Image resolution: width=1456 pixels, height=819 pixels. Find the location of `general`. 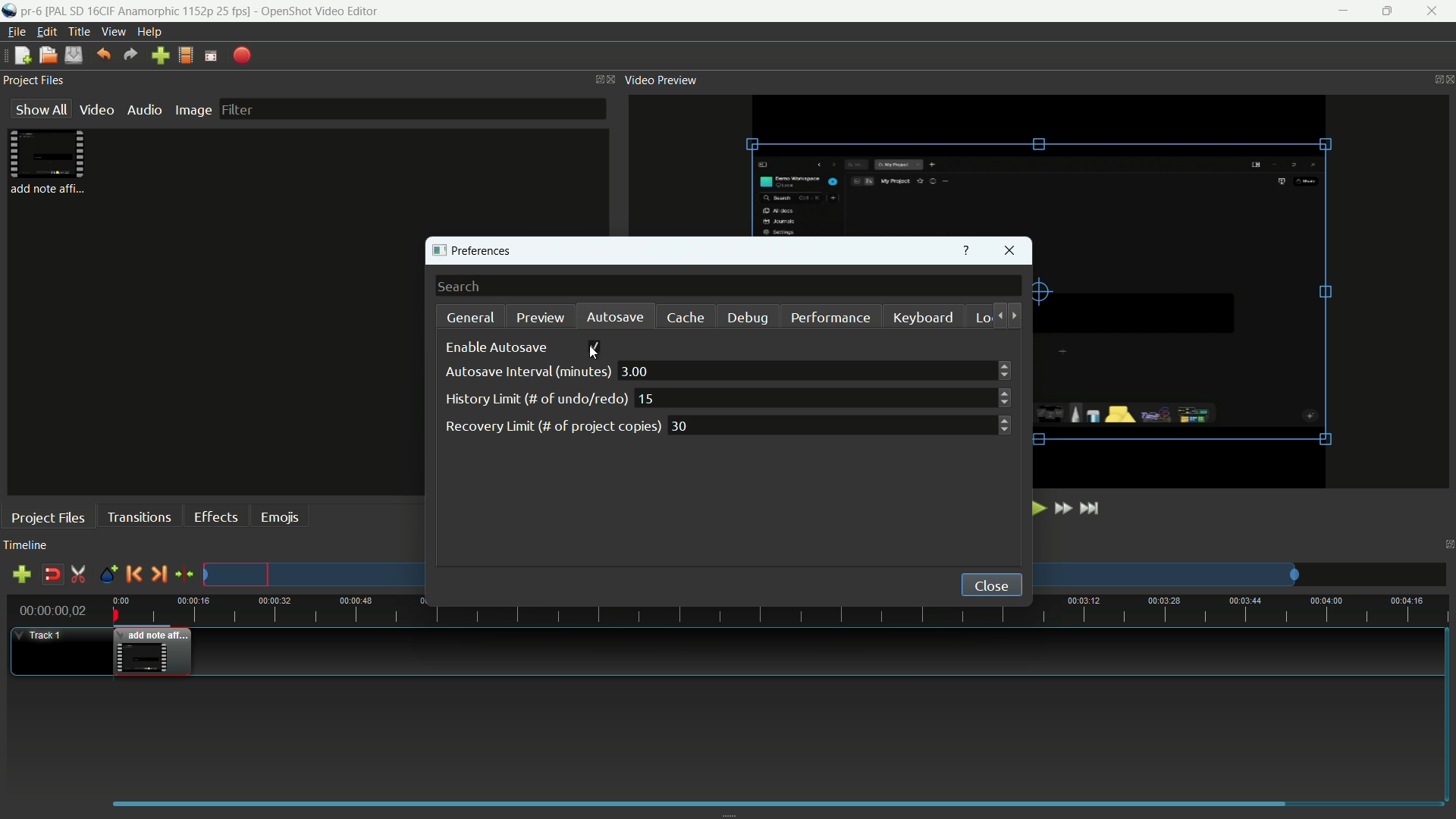

general is located at coordinates (471, 316).